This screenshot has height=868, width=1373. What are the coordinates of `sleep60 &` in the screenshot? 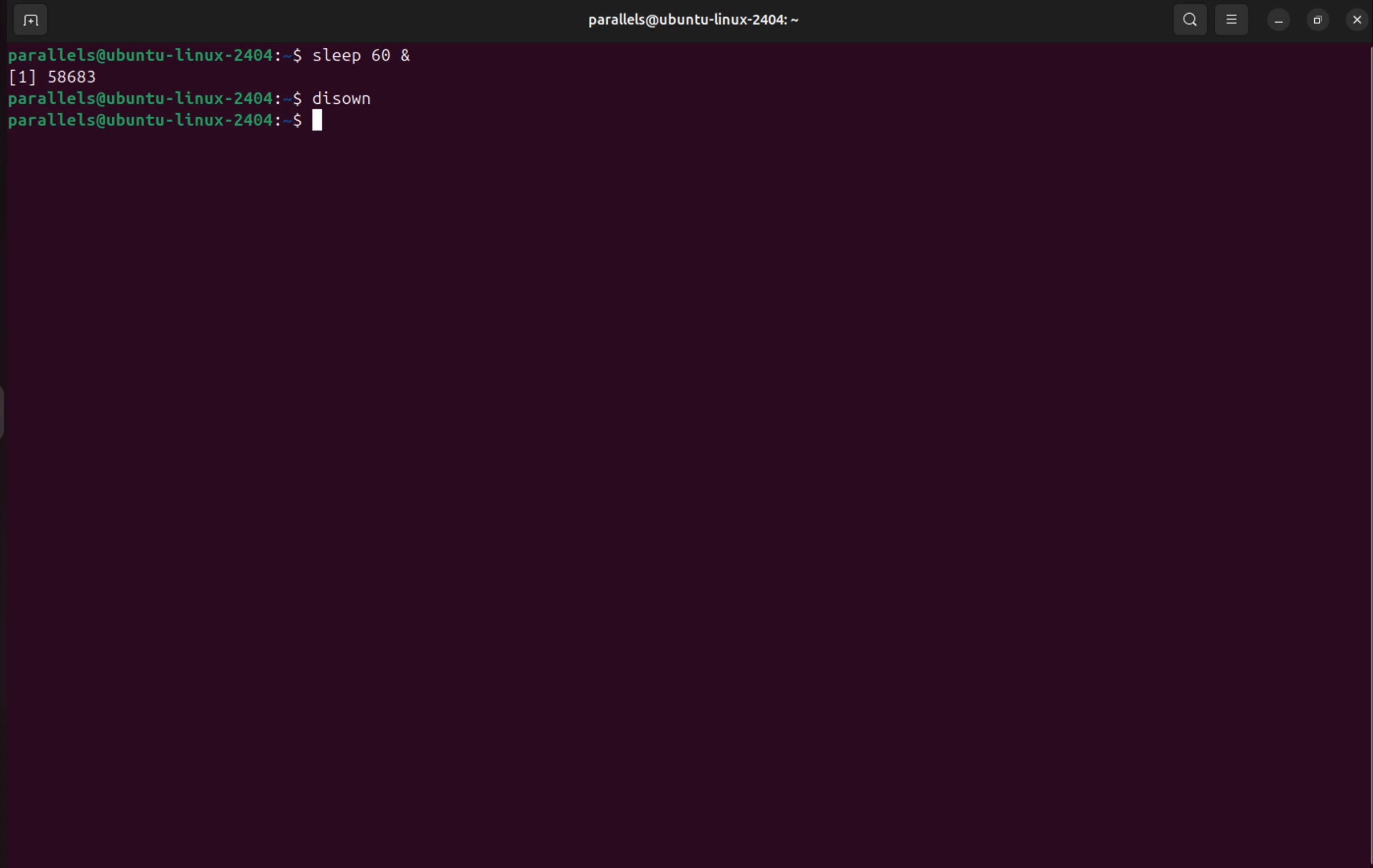 It's located at (372, 54).